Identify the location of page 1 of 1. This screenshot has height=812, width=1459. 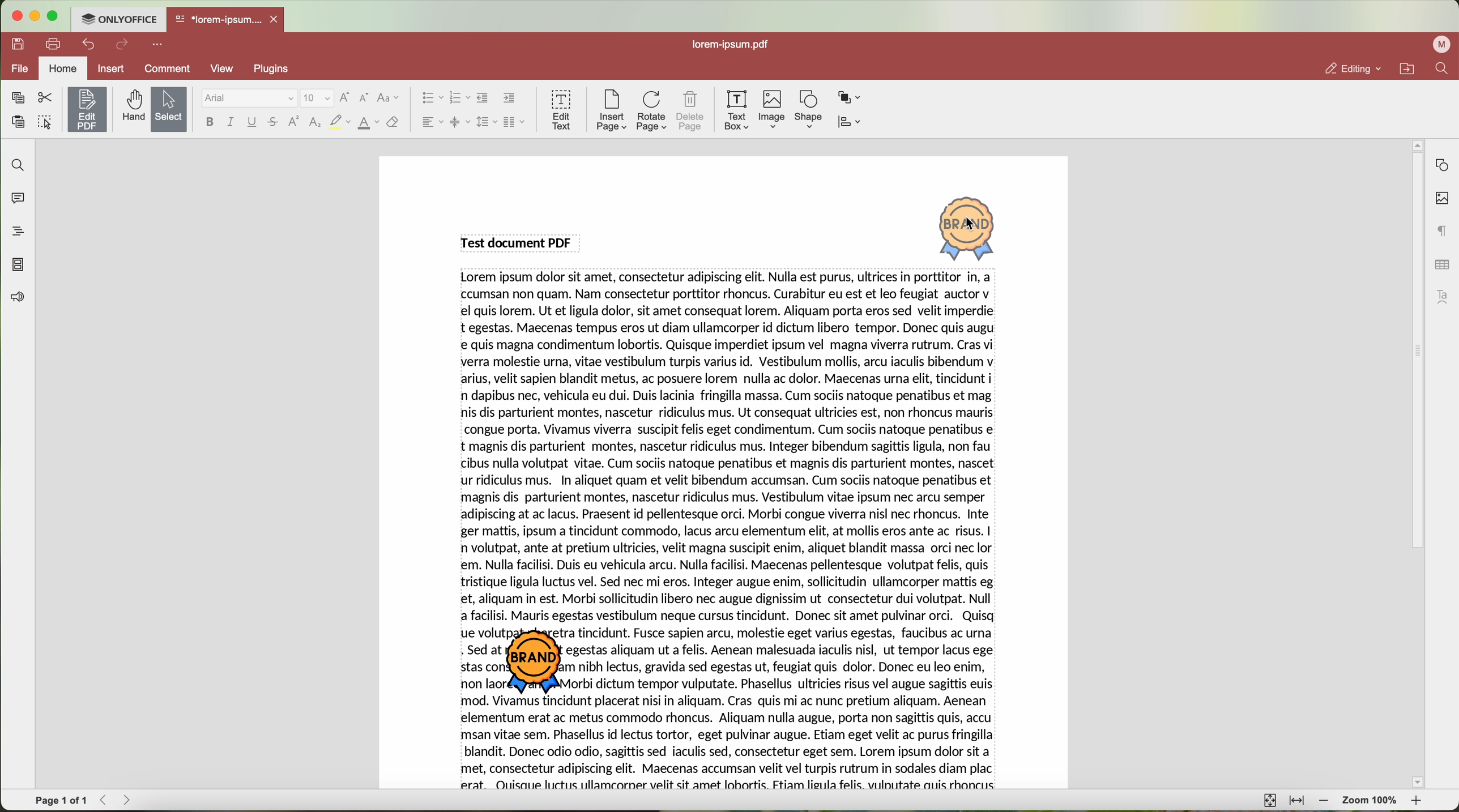
(61, 801).